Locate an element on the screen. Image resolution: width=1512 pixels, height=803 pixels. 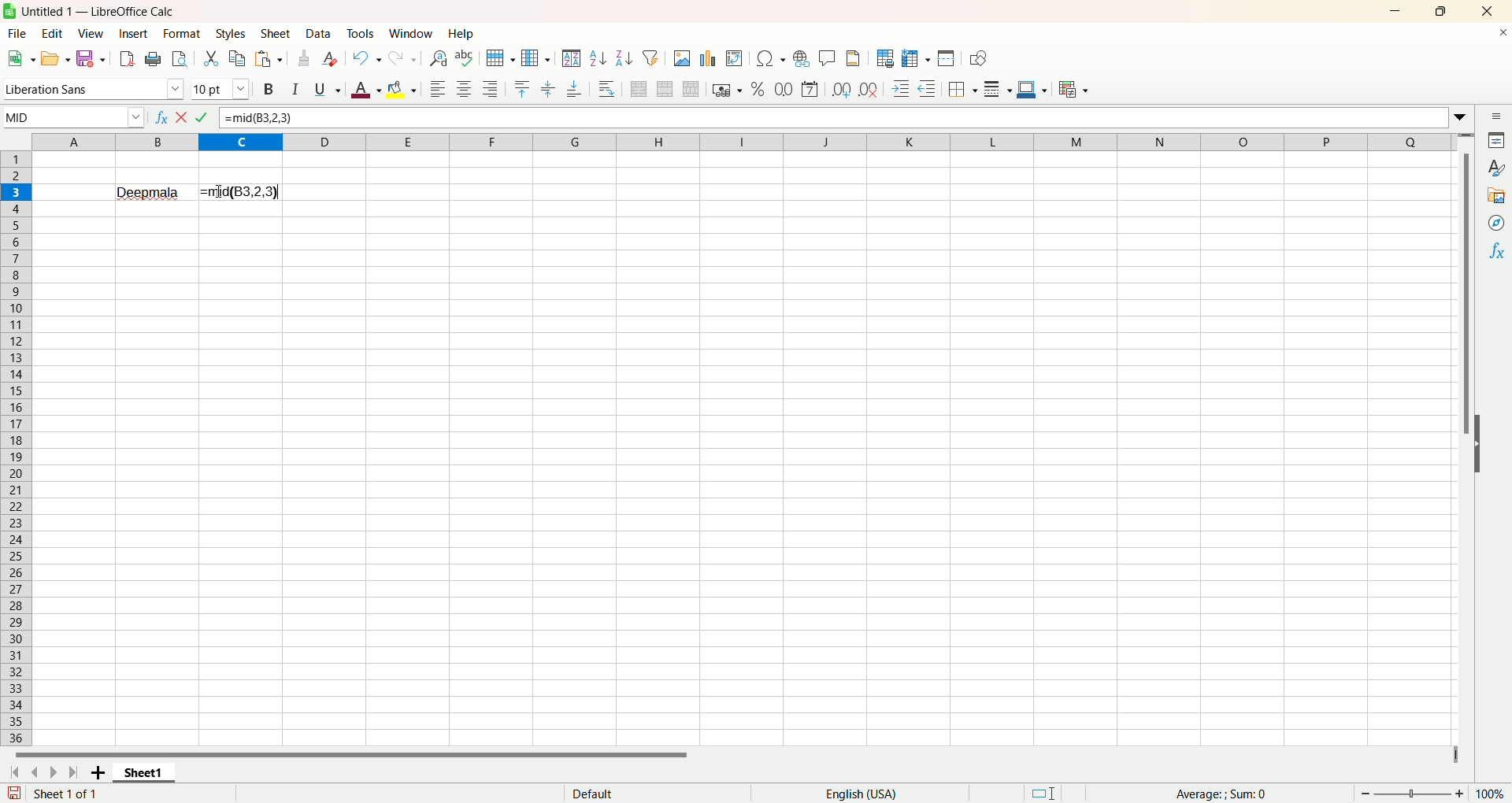
Formula is located at coordinates (1221, 794).